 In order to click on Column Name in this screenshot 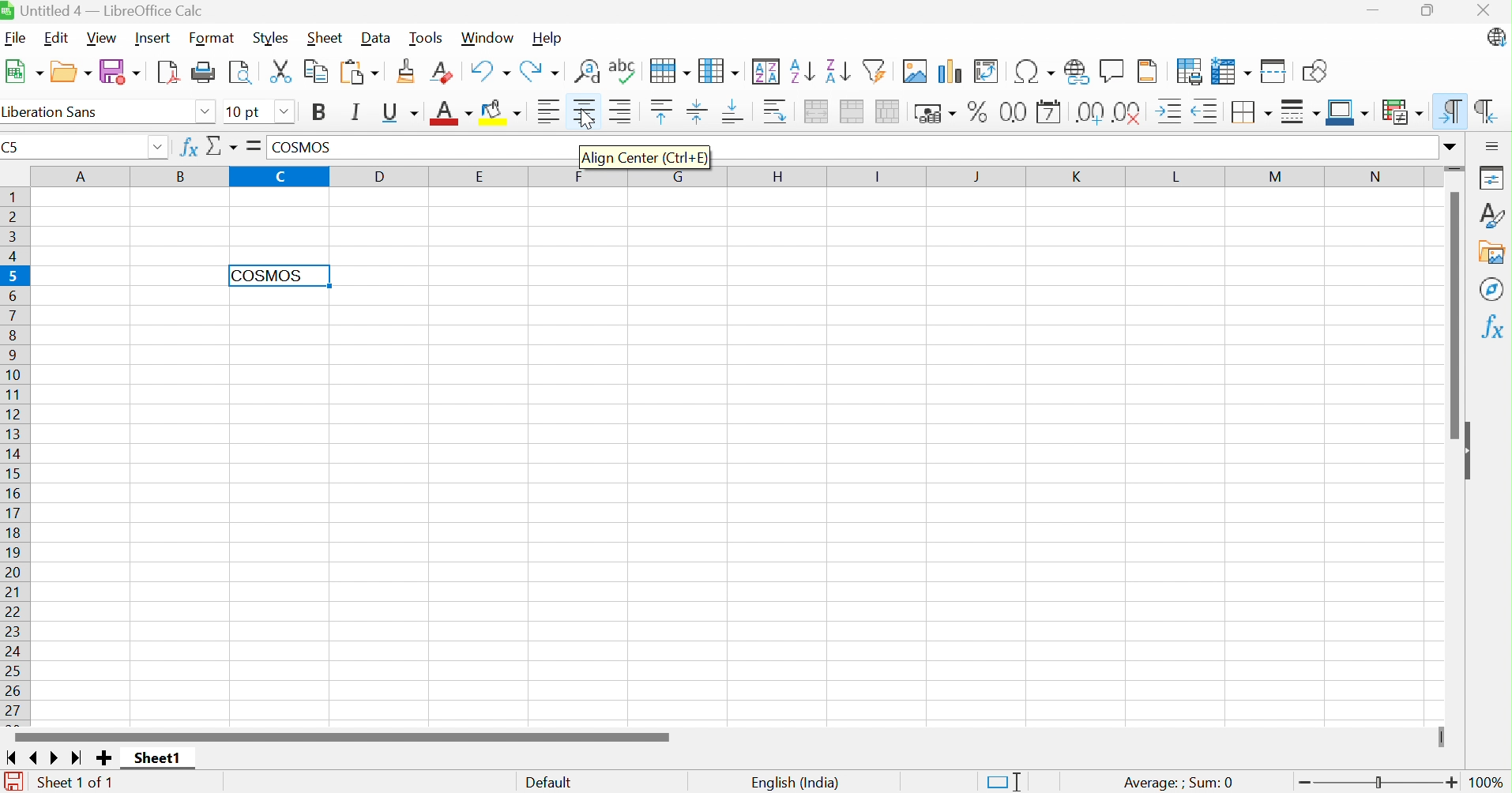, I will do `click(730, 177)`.